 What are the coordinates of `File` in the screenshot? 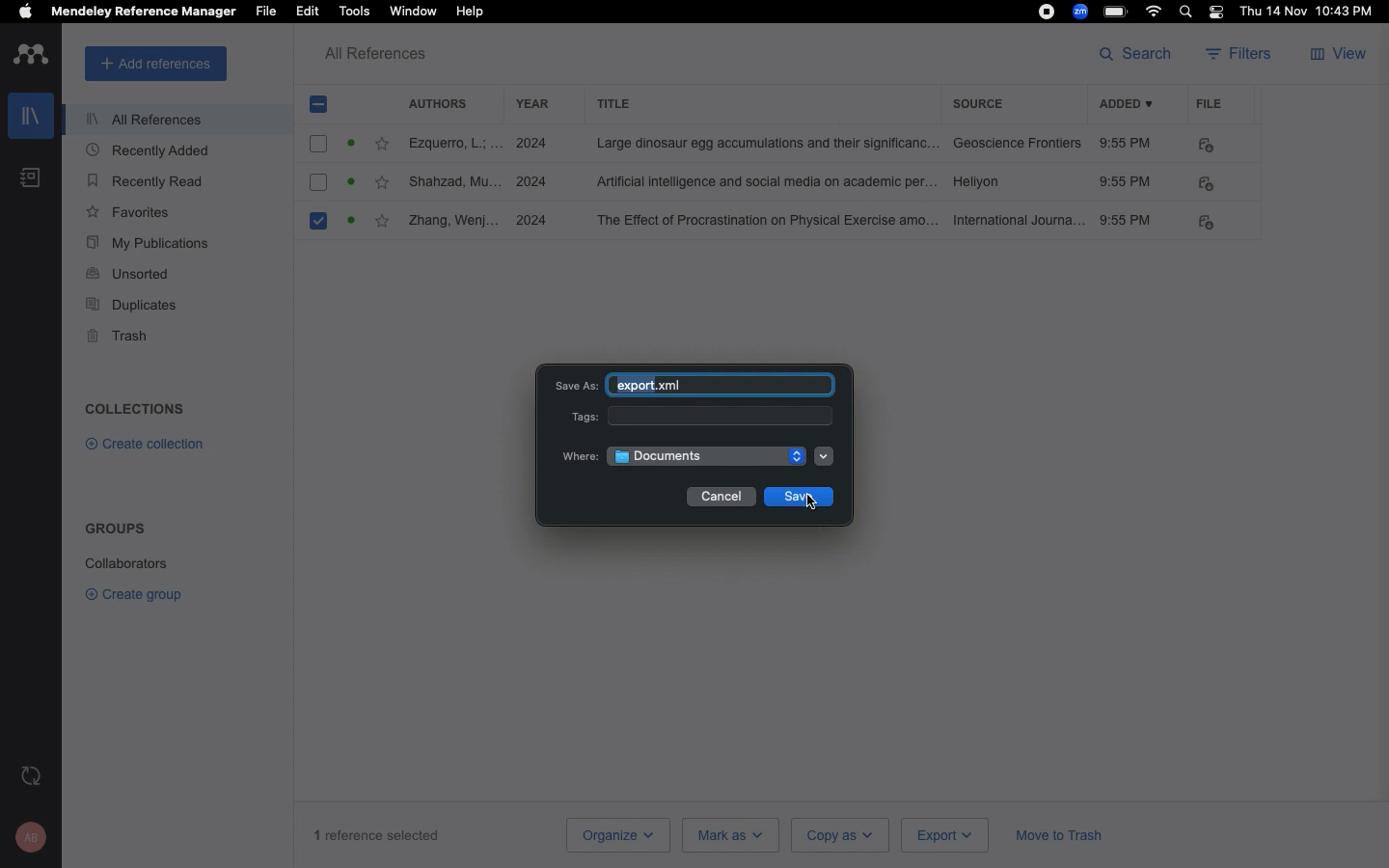 It's located at (1210, 102).